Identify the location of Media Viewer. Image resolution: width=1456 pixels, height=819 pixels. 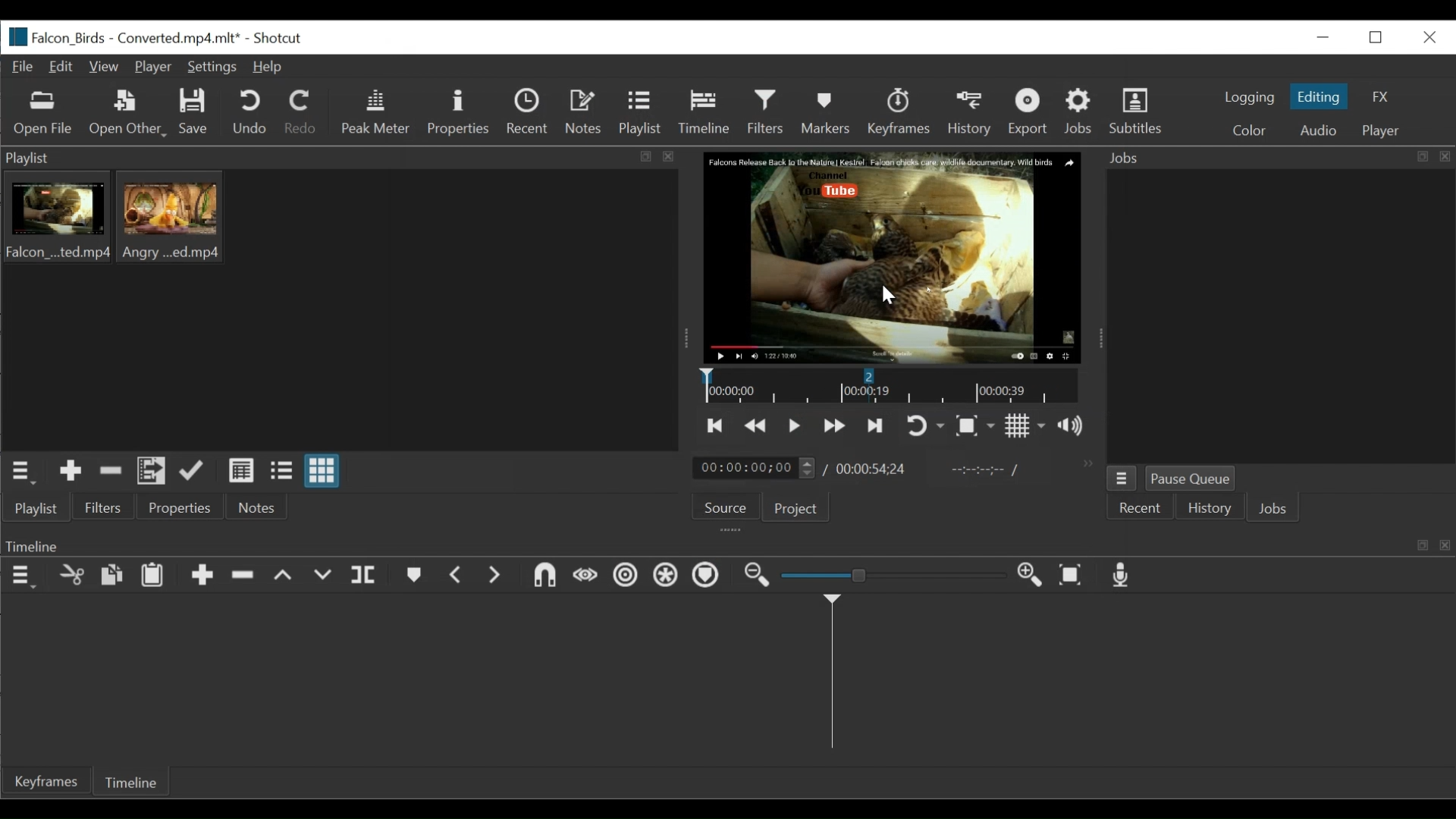
(890, 259).